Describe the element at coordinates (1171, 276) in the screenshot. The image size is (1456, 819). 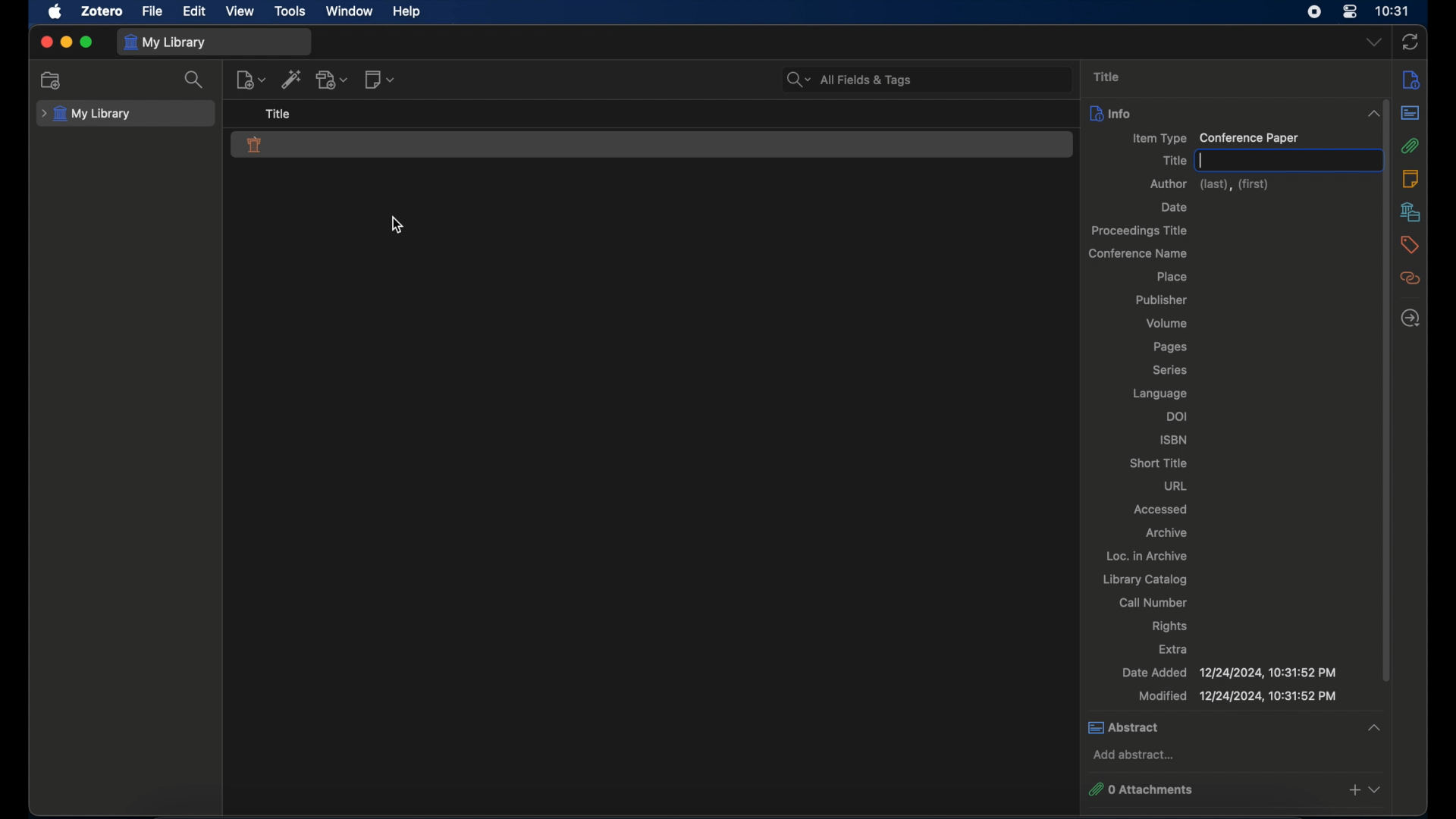
I see `place` at that location.